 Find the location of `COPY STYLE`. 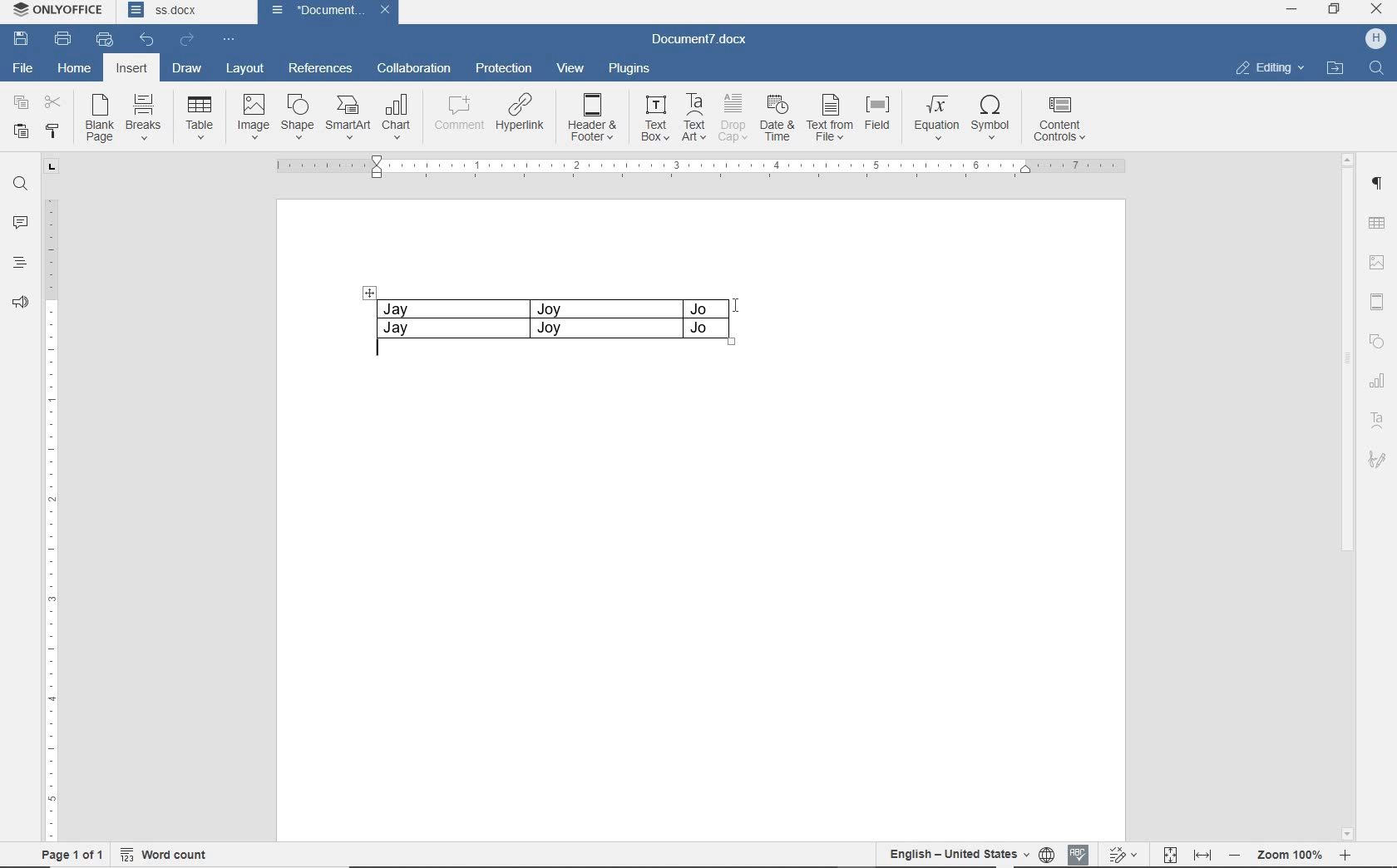

COPY STYLE is located at coordinates (52, 132).